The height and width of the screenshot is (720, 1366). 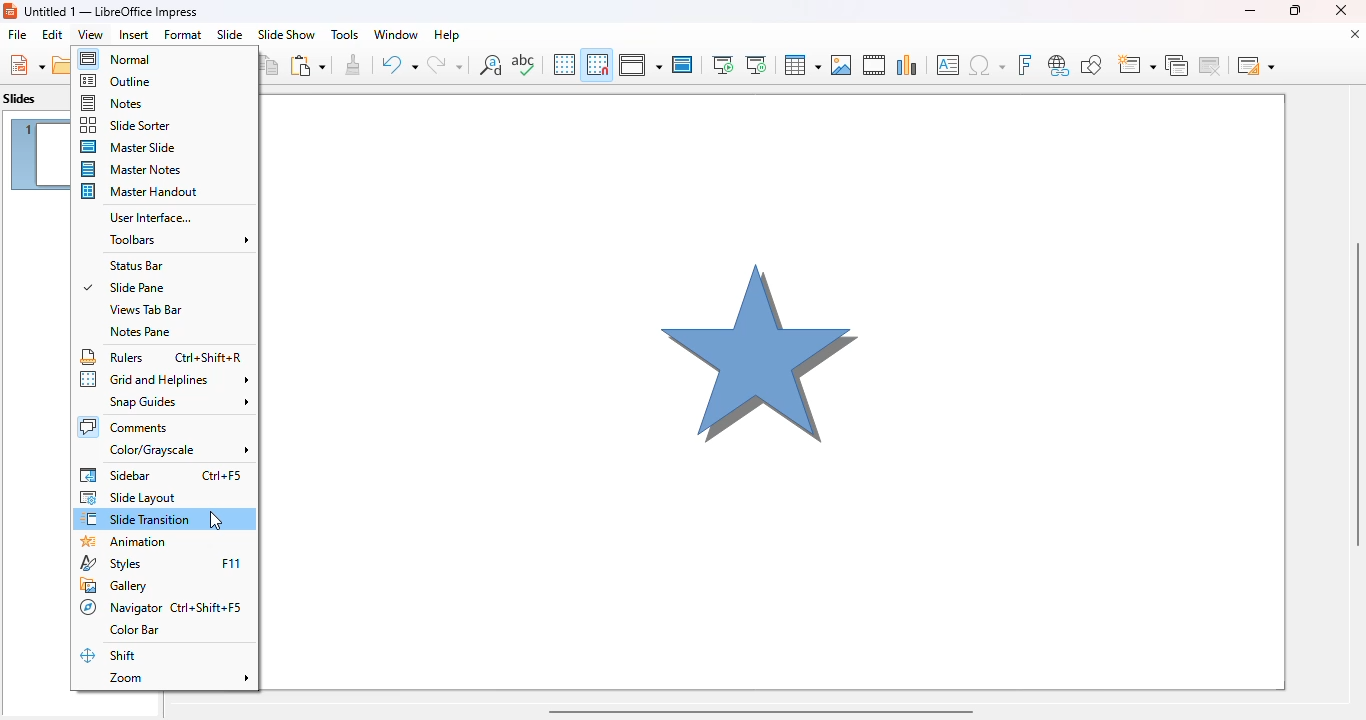 What do you see at coordinates (215, 521) in the screenshot?
I see `cursor` at bounding box center [215, 521].